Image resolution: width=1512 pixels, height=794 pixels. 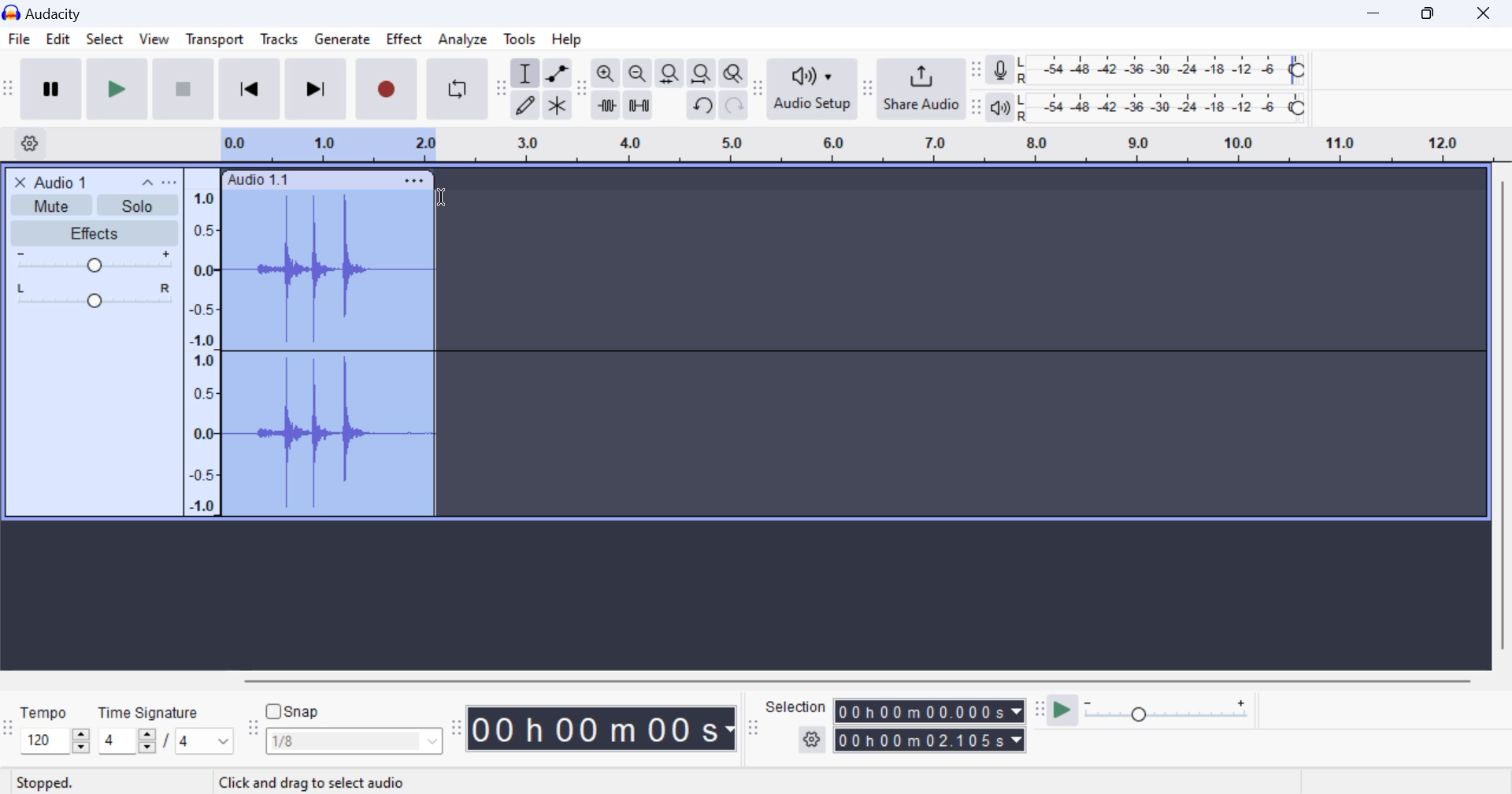 I want to click on Effects, so click(x=93, y=233).